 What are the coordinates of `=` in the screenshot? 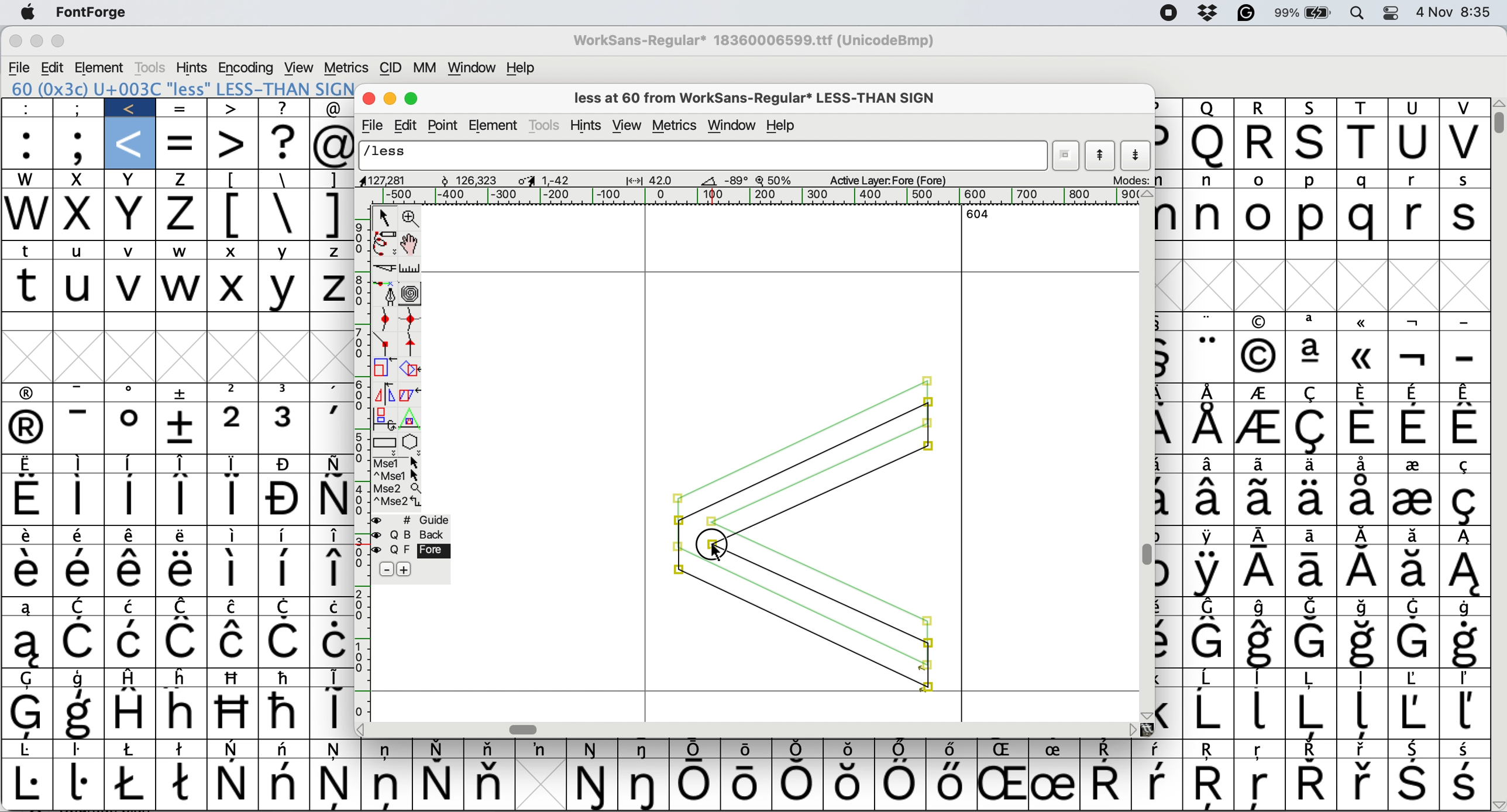 It's located at (181, 108).